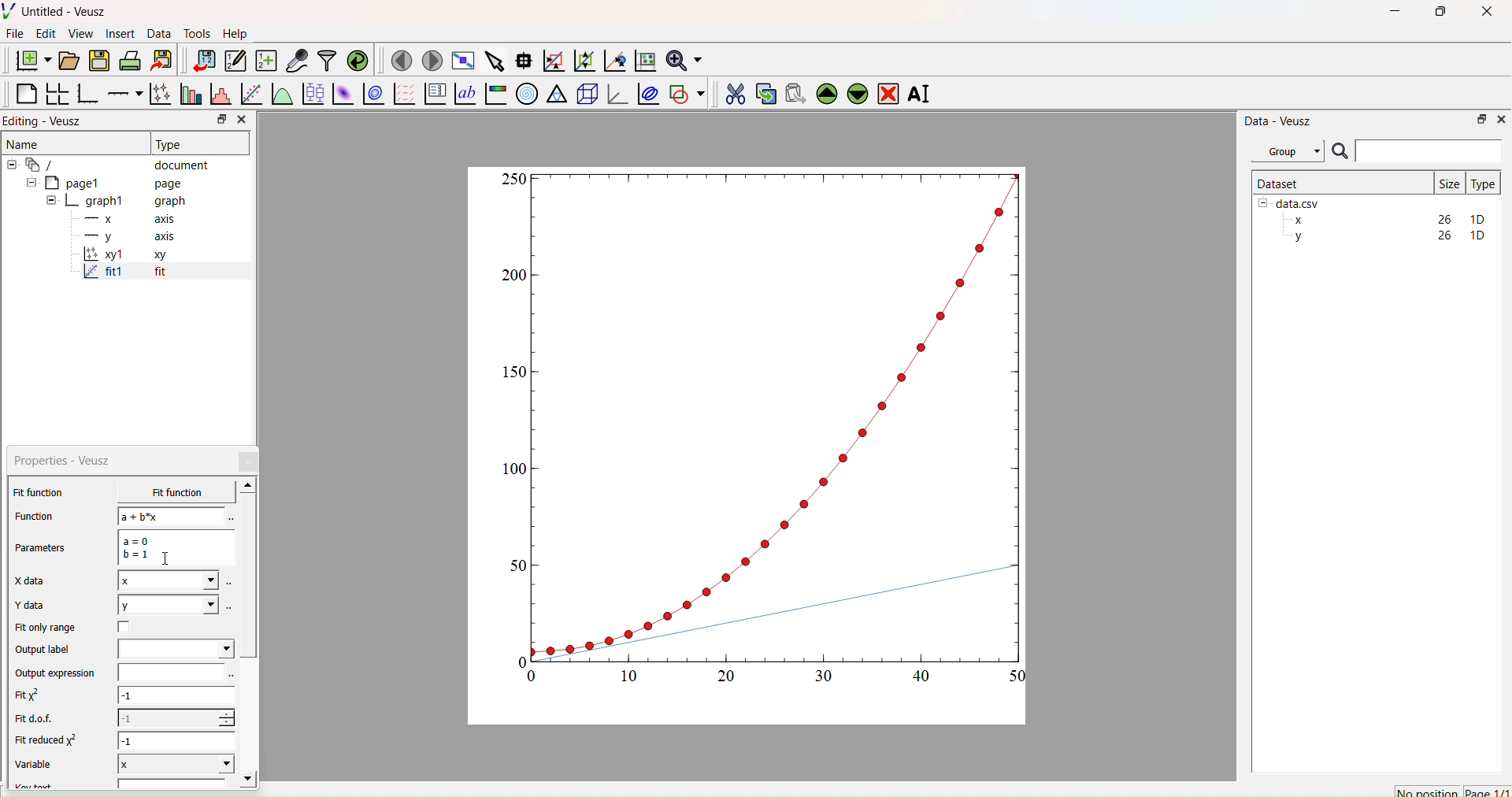 This screenshot has height=797, width=1512. Describe the element at coordinates (29, 58) in the screenshot. I see `New Document` at that location.